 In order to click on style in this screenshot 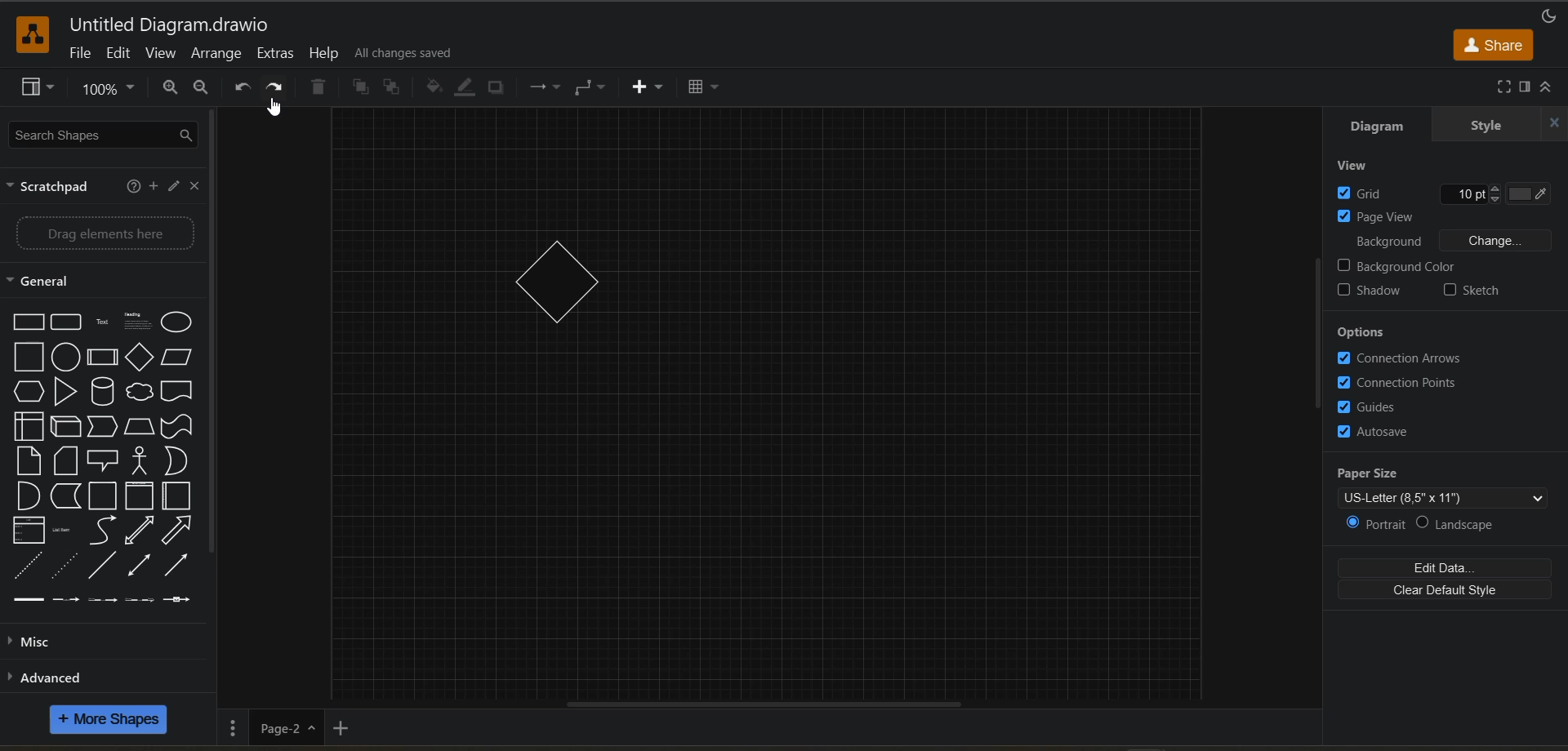, I will do `click(1490, 127)`.